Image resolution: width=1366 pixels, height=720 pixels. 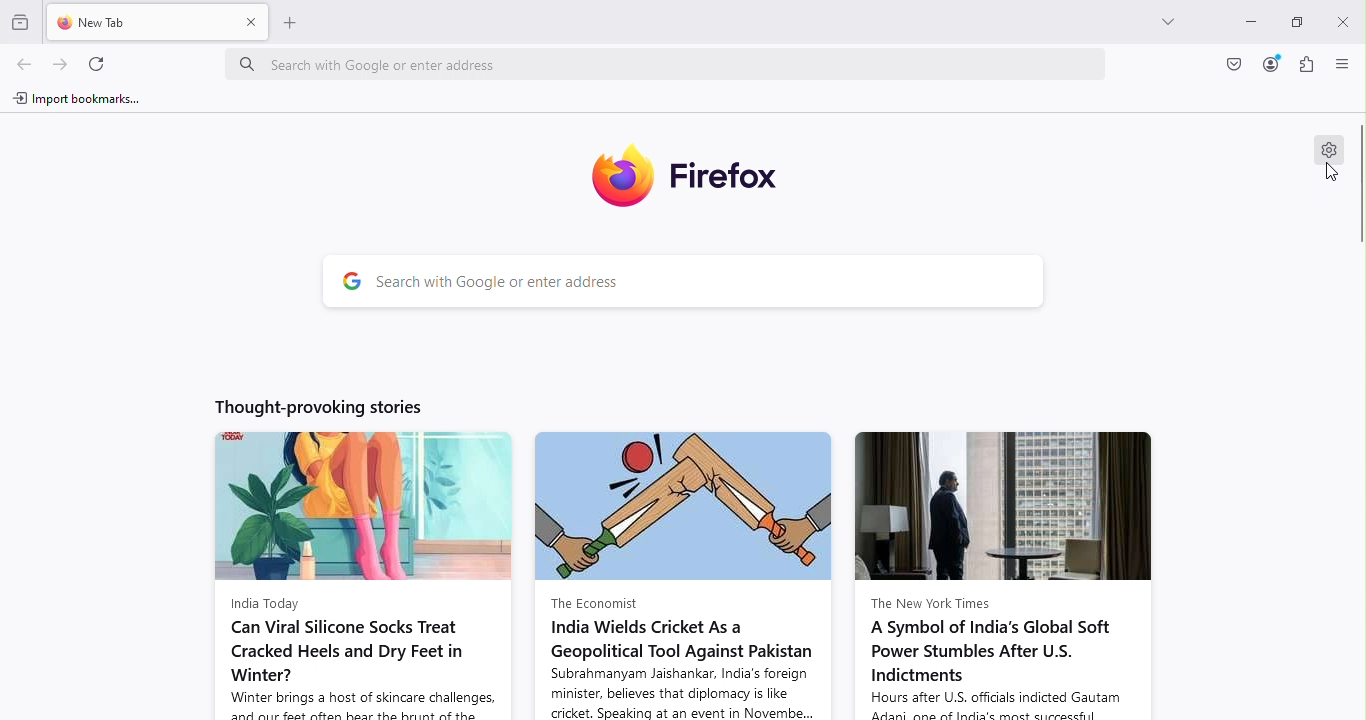 I want to click on Scroll bar, so click(x=1358, y=215).